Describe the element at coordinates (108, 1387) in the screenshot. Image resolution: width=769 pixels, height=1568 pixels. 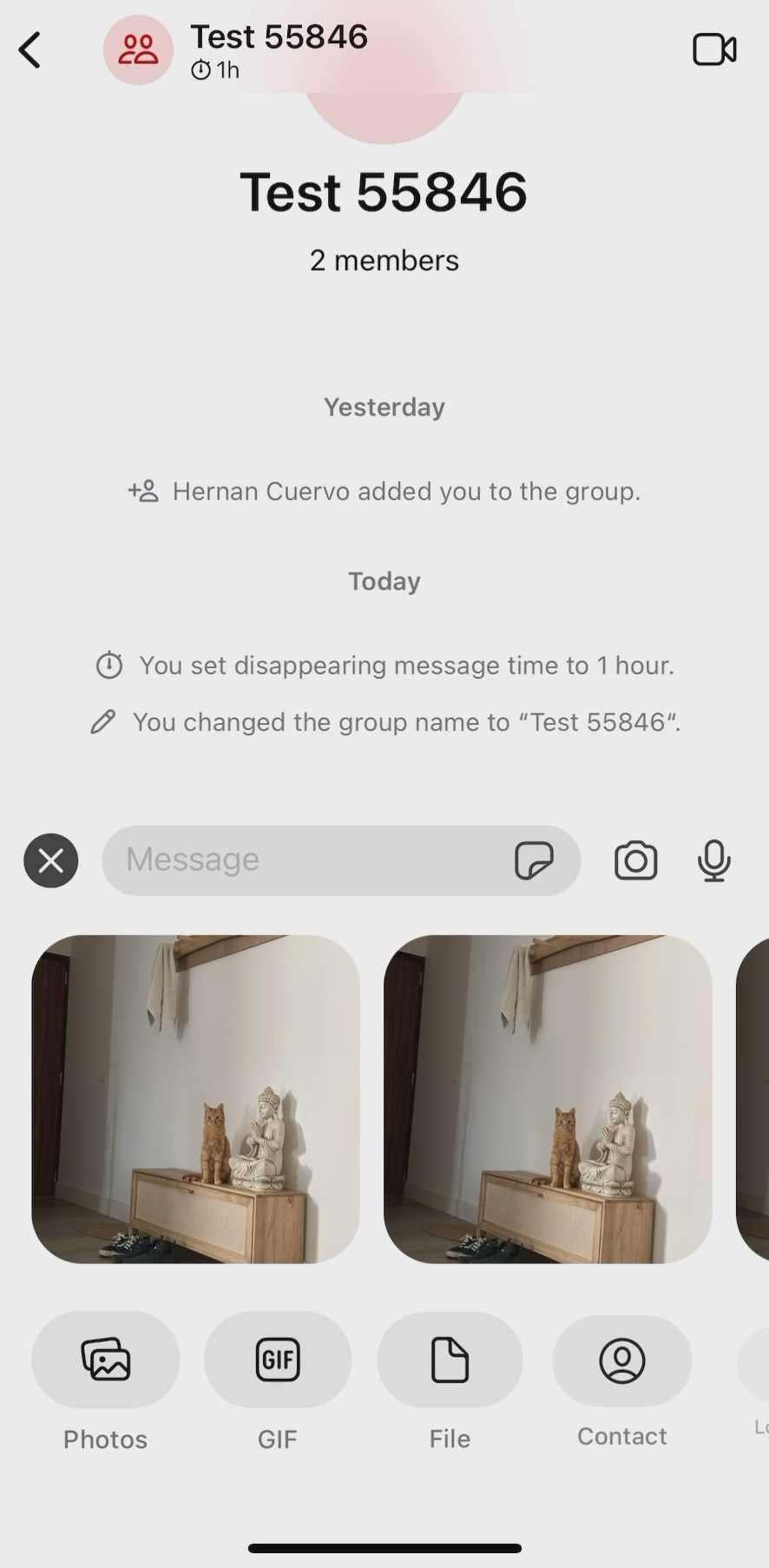
I see `images button` at that location.